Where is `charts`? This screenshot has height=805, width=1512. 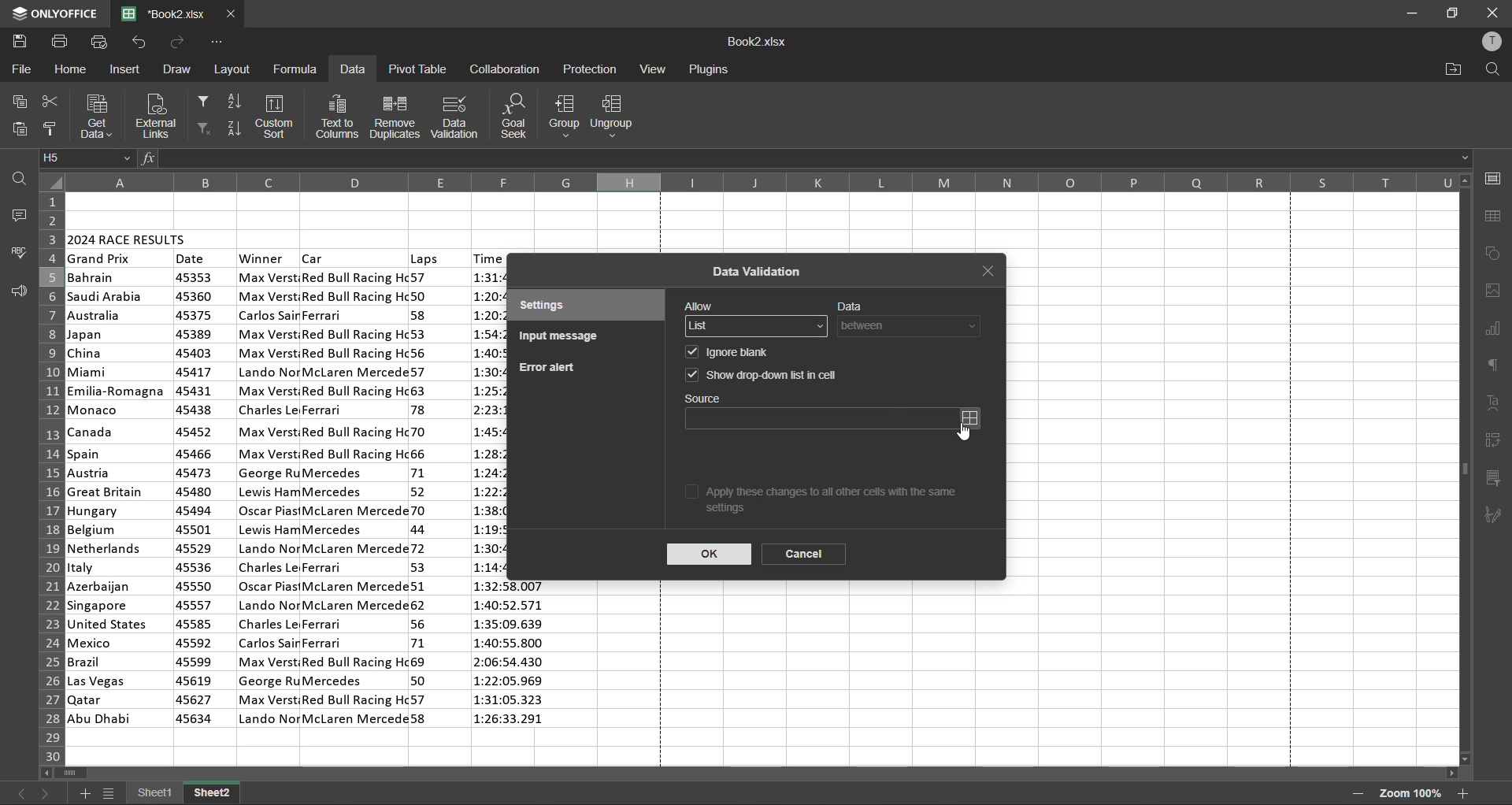 charts is located at coordinates (1493, 331).